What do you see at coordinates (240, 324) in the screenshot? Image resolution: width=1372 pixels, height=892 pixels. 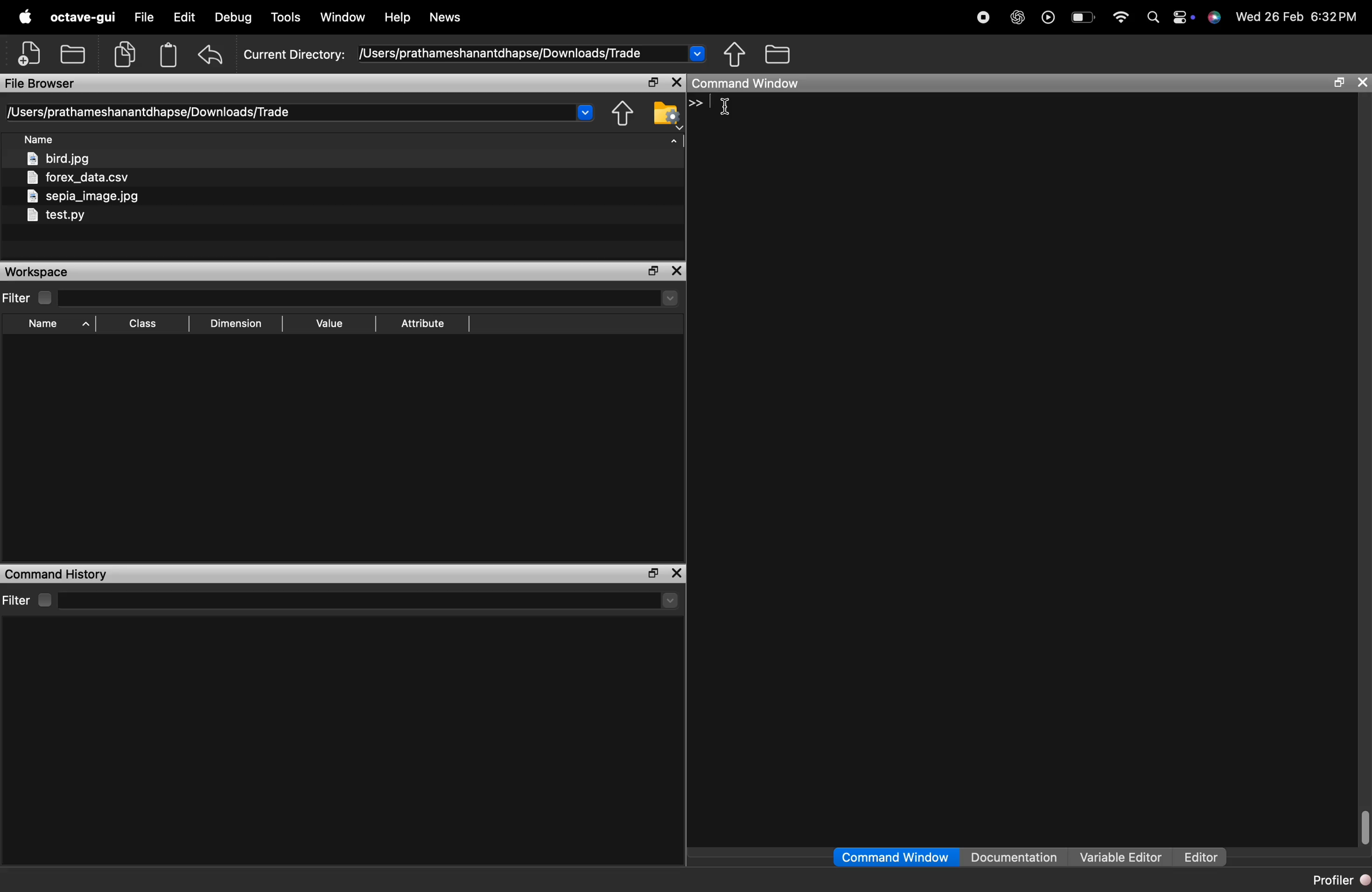 I see `dimension` at bounding box center [240, 324].